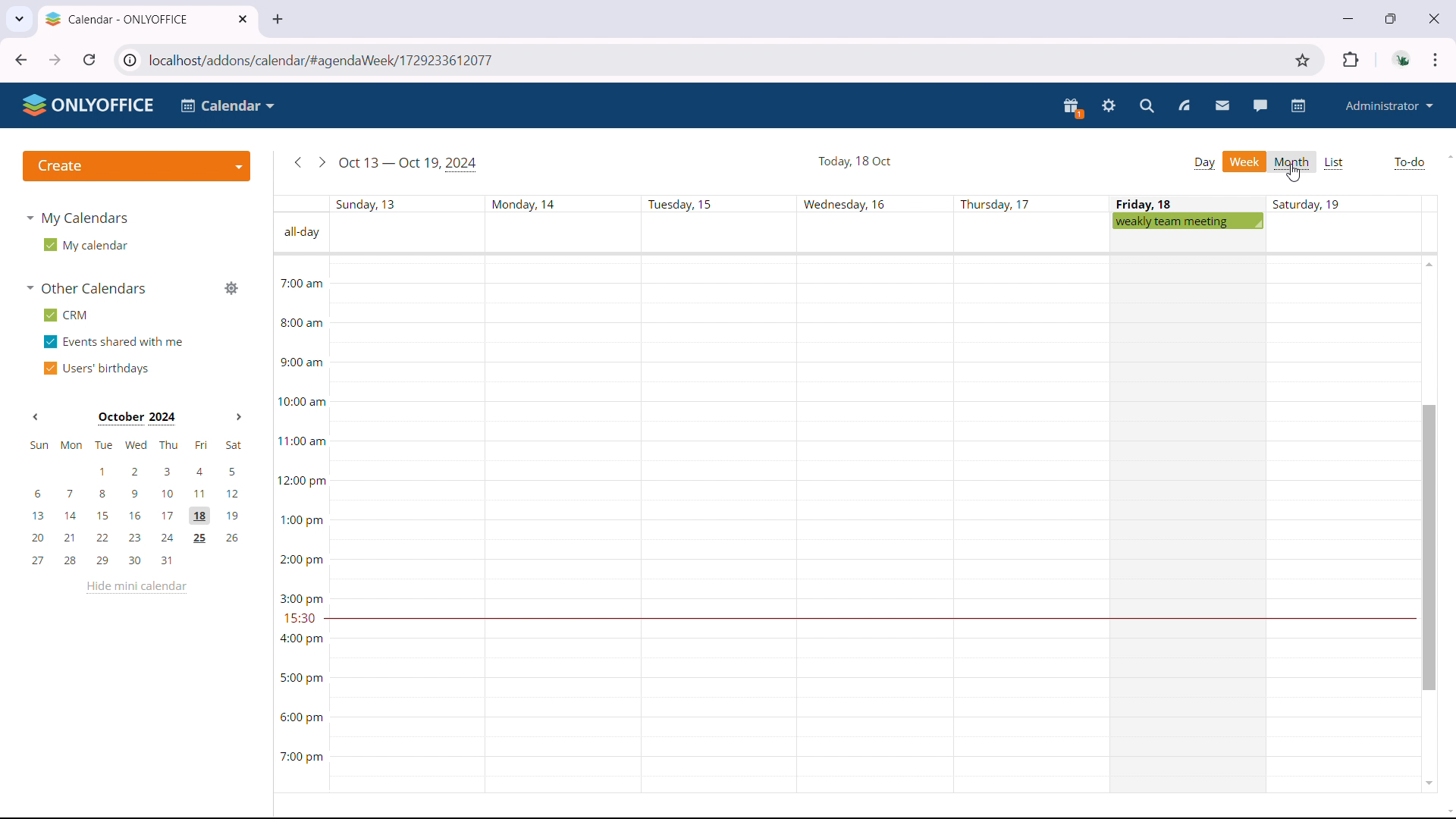 This screenshot has width=1456, height=819. Describe the element at coordinates (36, 419) in the screenshot. I see `Previous month` at that location.